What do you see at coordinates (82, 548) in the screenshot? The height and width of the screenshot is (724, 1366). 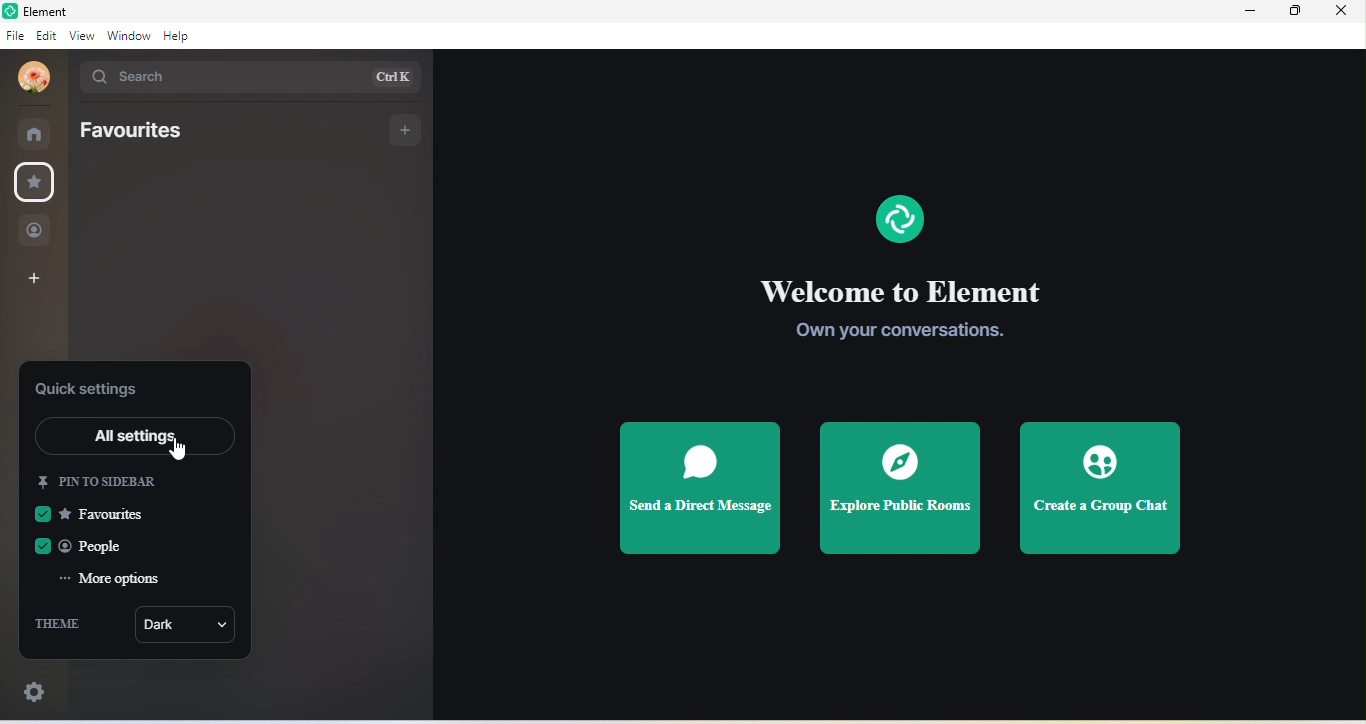 I see `people` at bounding box center [82, 548].